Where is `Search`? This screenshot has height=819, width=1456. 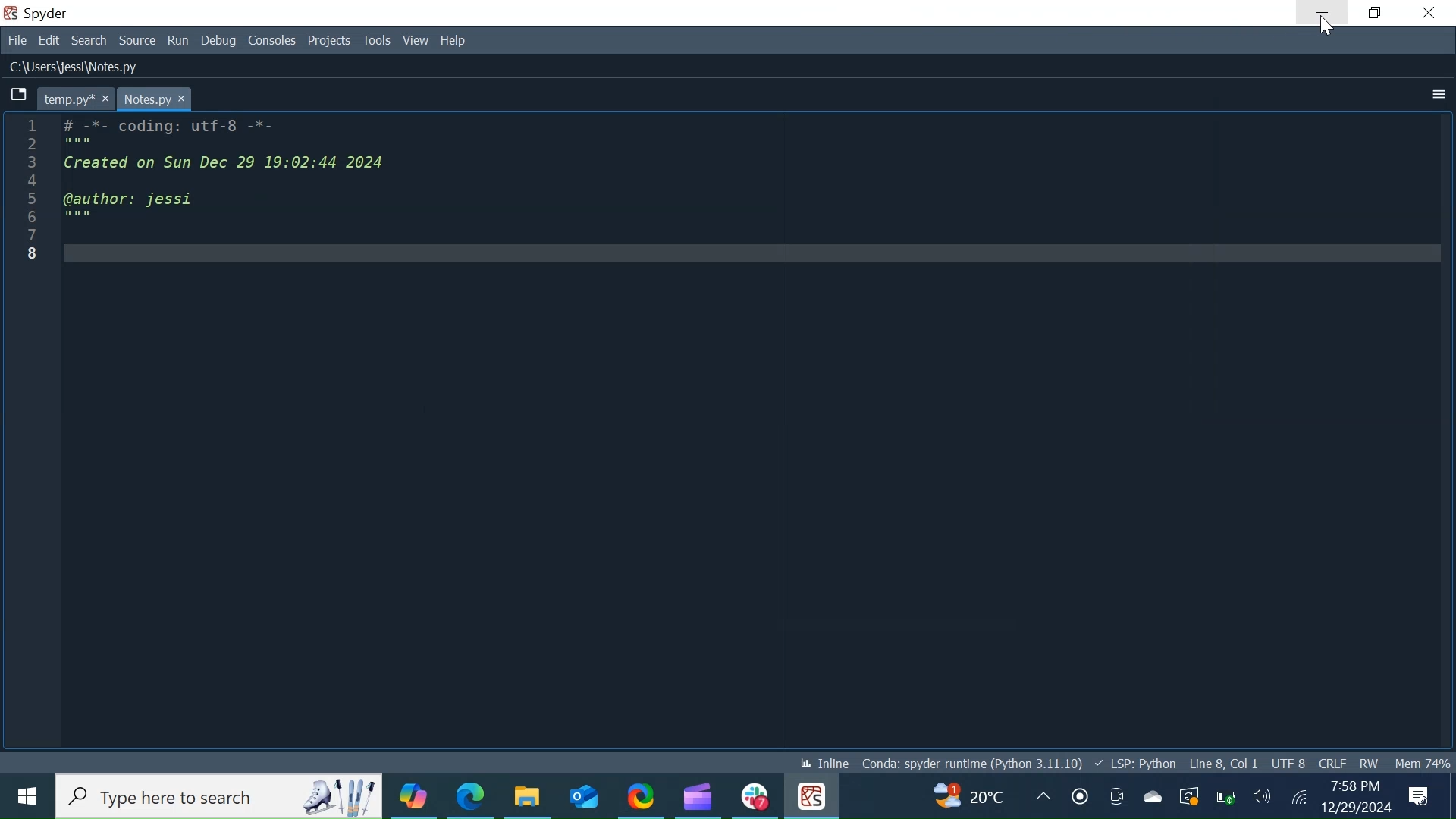 Search is located at coordinates (89, 42).